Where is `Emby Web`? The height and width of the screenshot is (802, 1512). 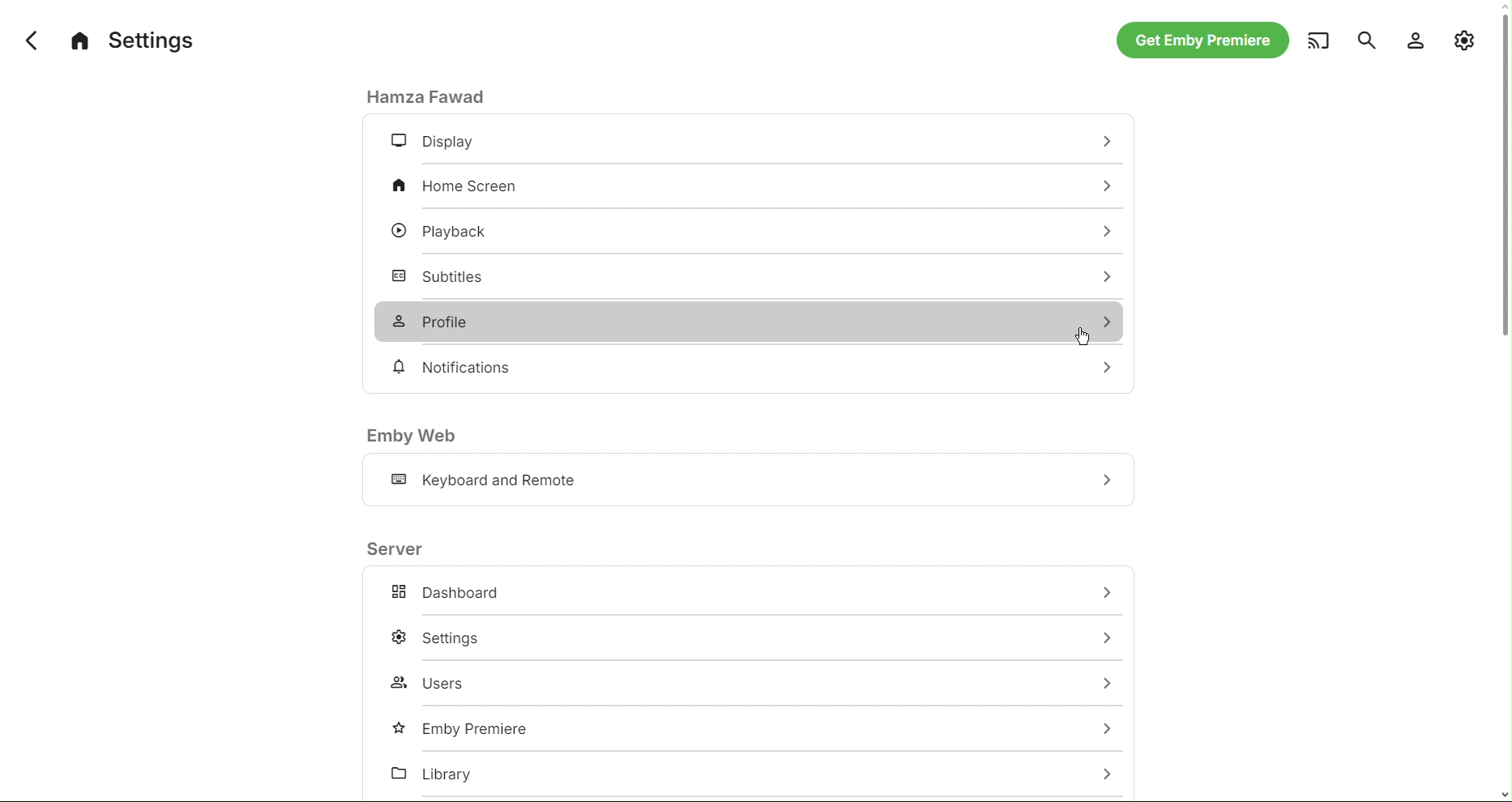 Emby Web is located at coordinates (412, 436).